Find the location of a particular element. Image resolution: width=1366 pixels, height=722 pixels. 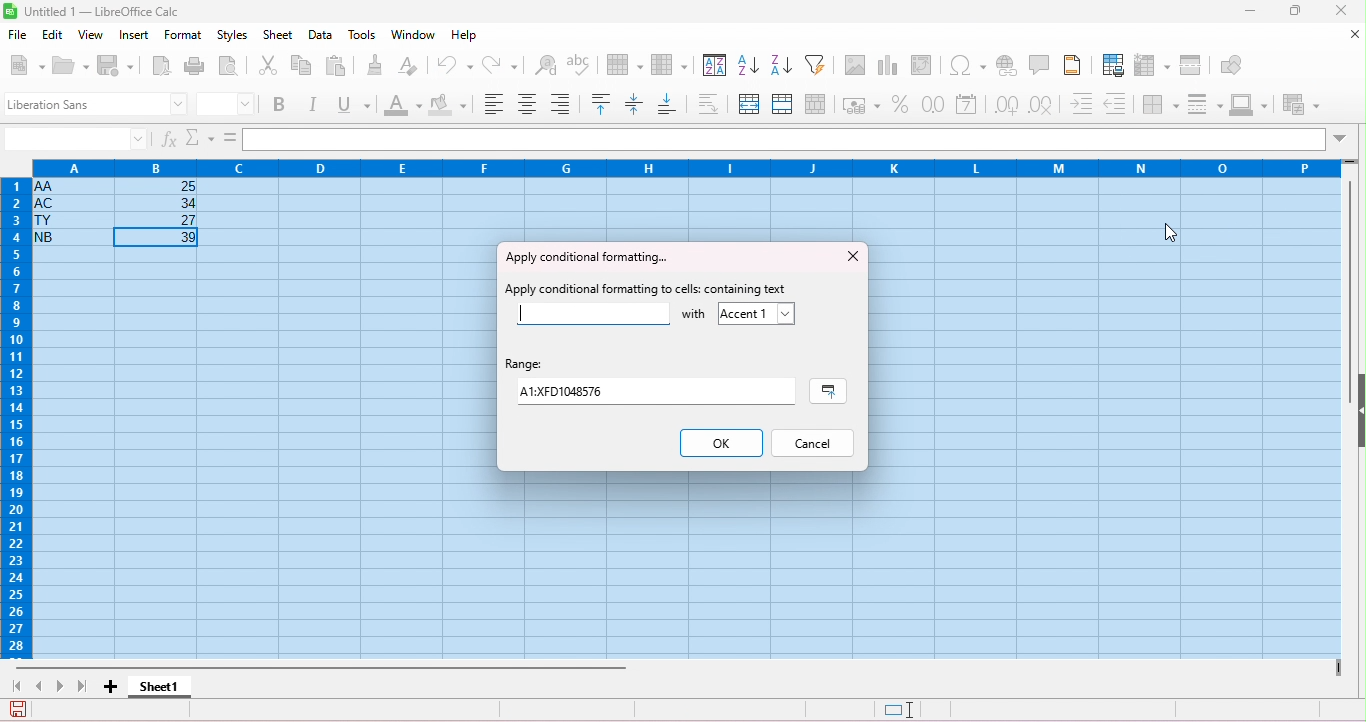

insert is located at coordinates (133, 35).